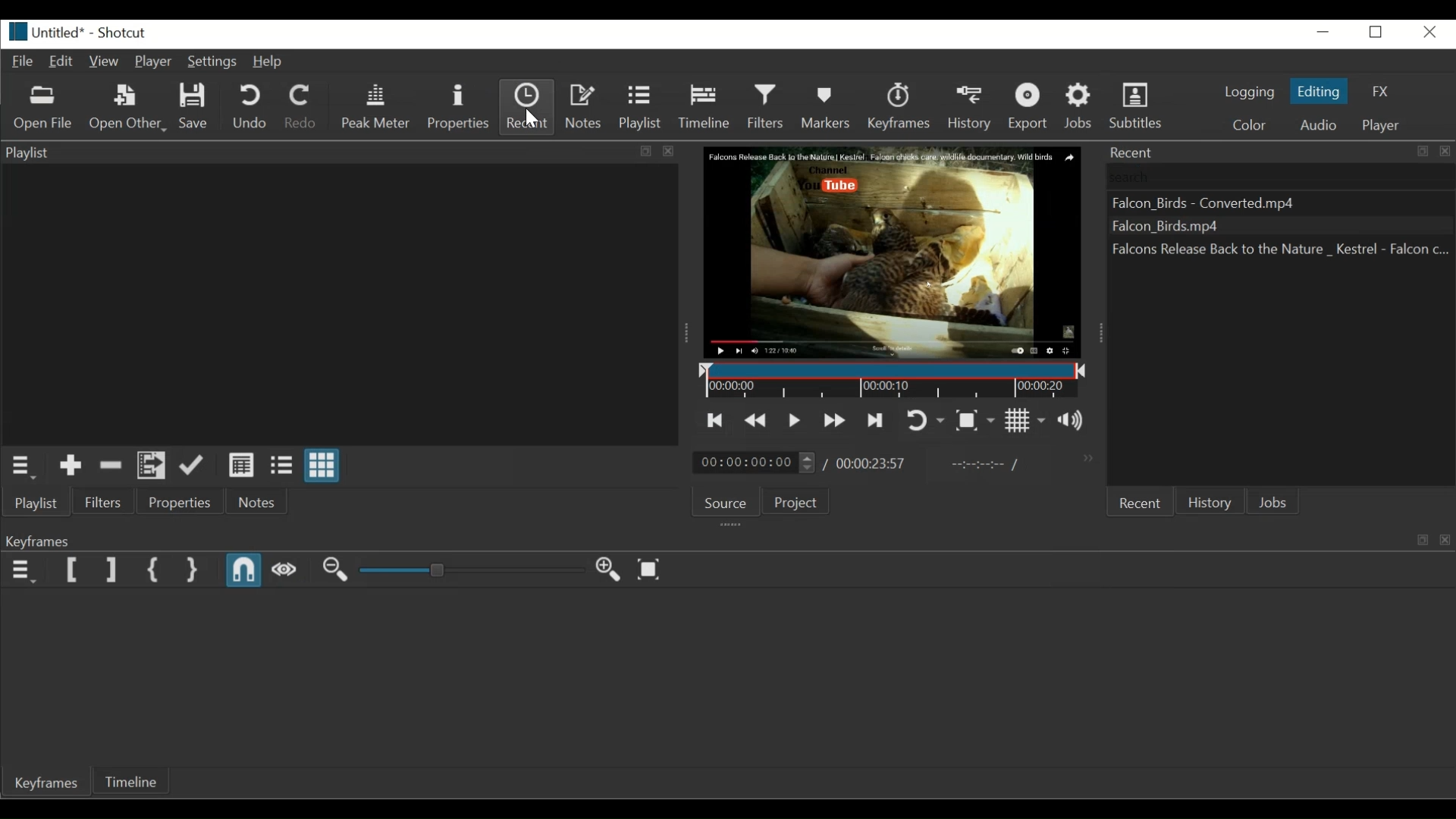 The width and height of the screenshot is (1456, 819). I want to click on logging, so click(1250, 93).